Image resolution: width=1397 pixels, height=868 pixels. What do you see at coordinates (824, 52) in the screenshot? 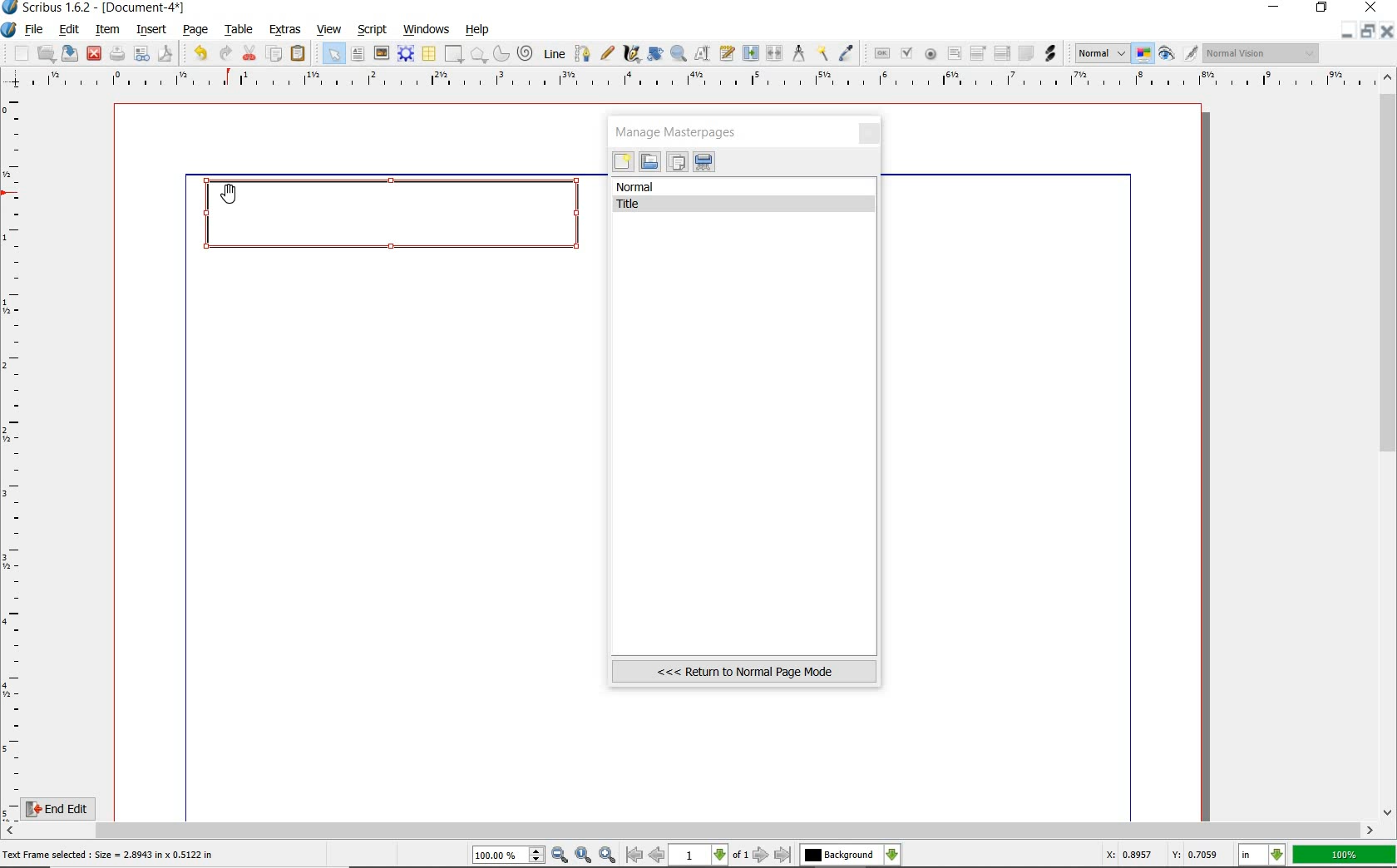
I see `copy item properties` at bounding box center [824, 52].